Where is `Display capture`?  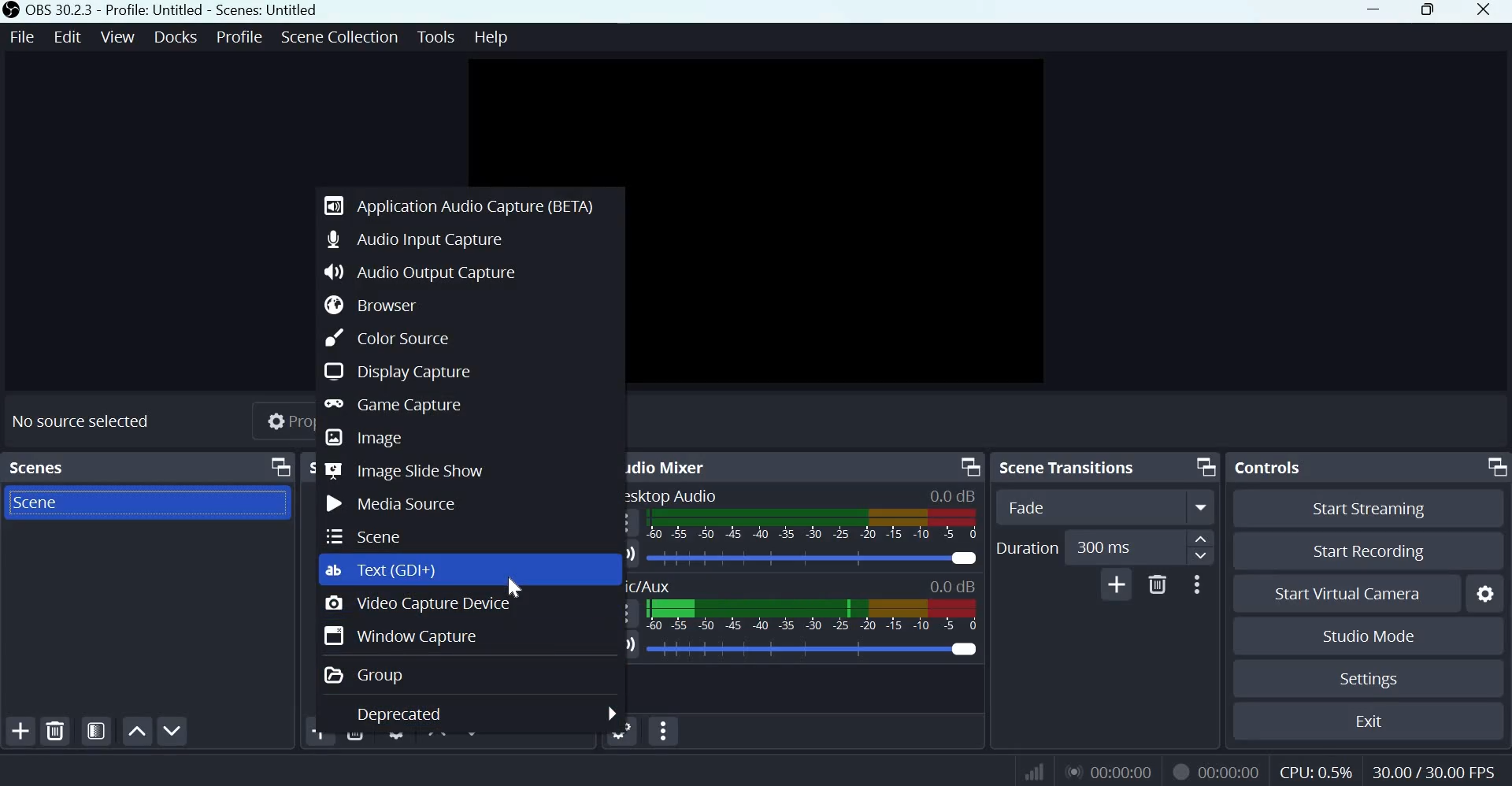
Display capture is located at coordinates (396, 370).